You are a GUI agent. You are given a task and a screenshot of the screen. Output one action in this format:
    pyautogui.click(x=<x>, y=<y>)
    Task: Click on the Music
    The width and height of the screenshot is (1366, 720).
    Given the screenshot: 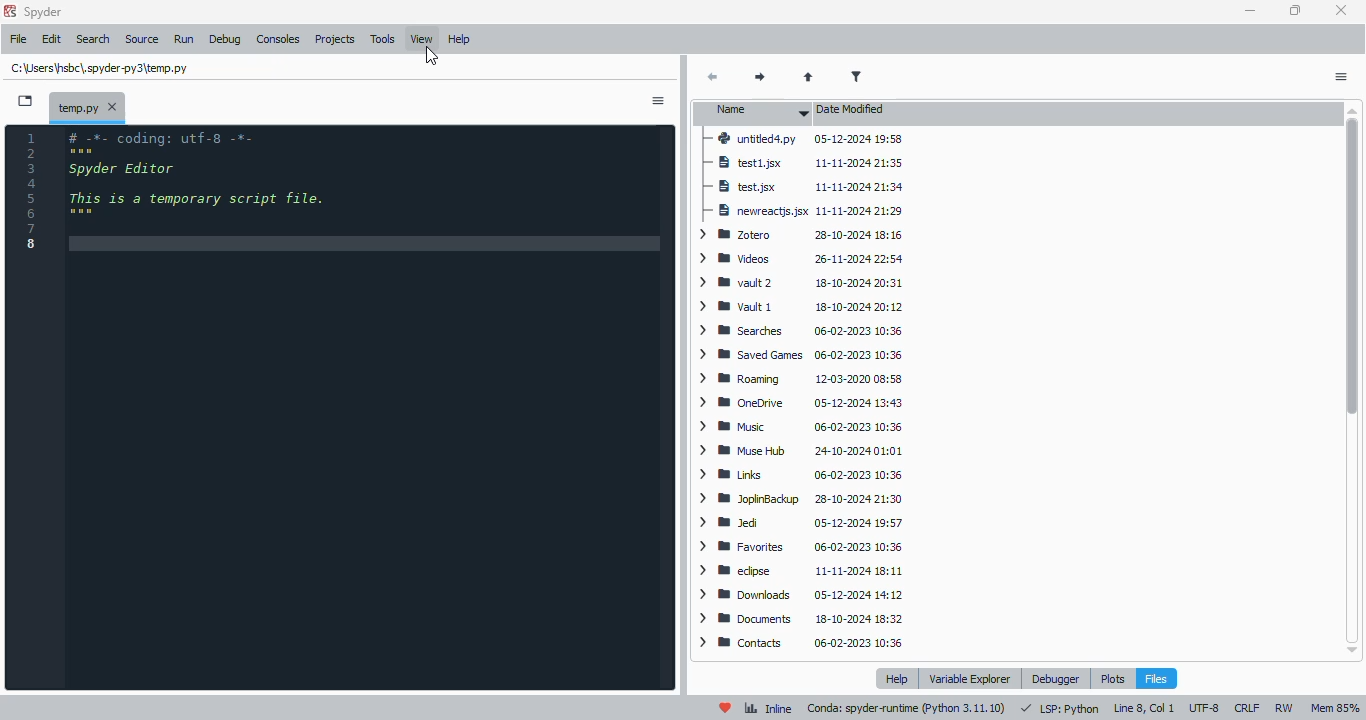 What is the action you would take?
    pyautogui.click(x=801, y=426)
    